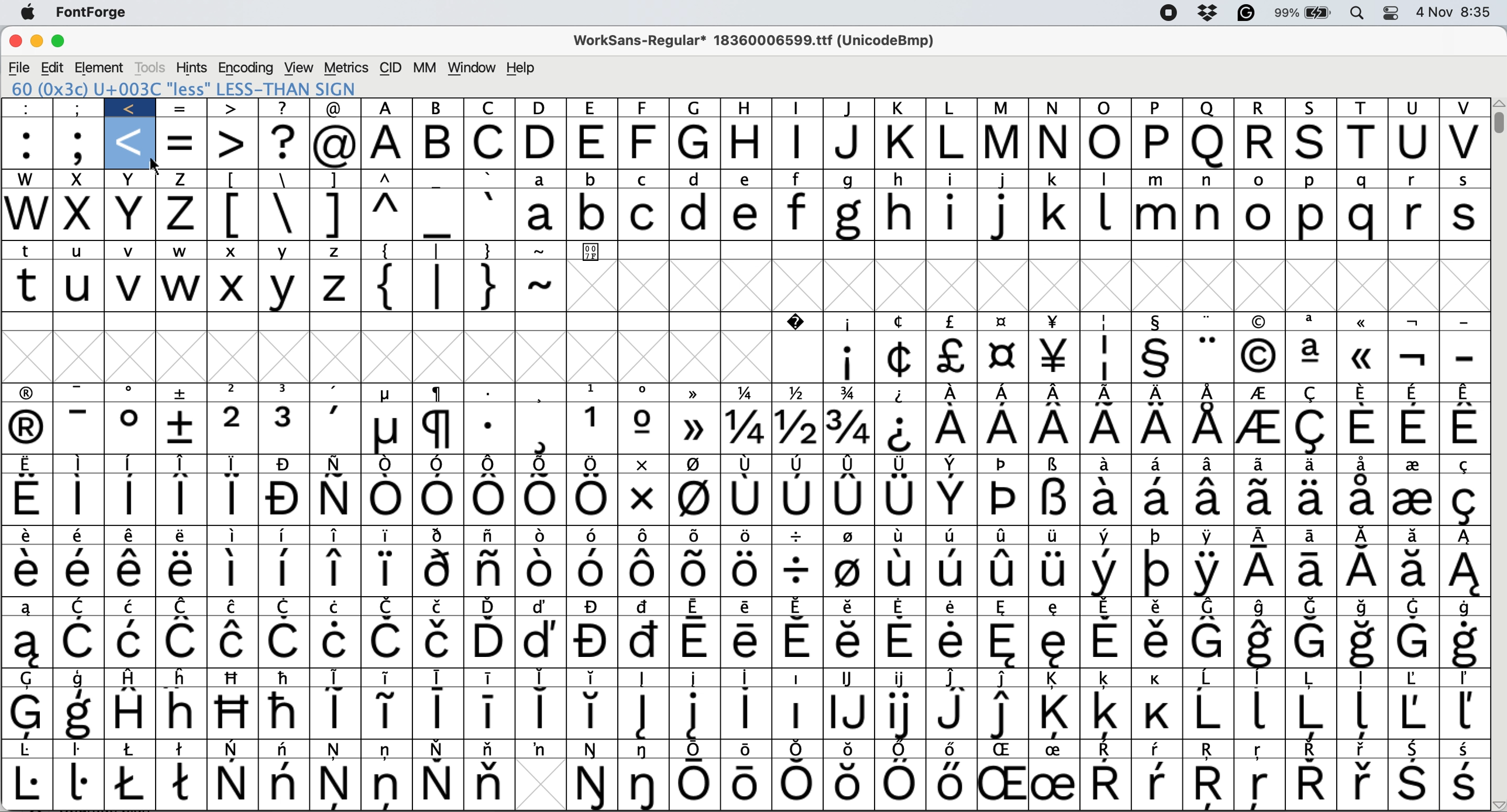  I want to click on `, so click(489, 178).